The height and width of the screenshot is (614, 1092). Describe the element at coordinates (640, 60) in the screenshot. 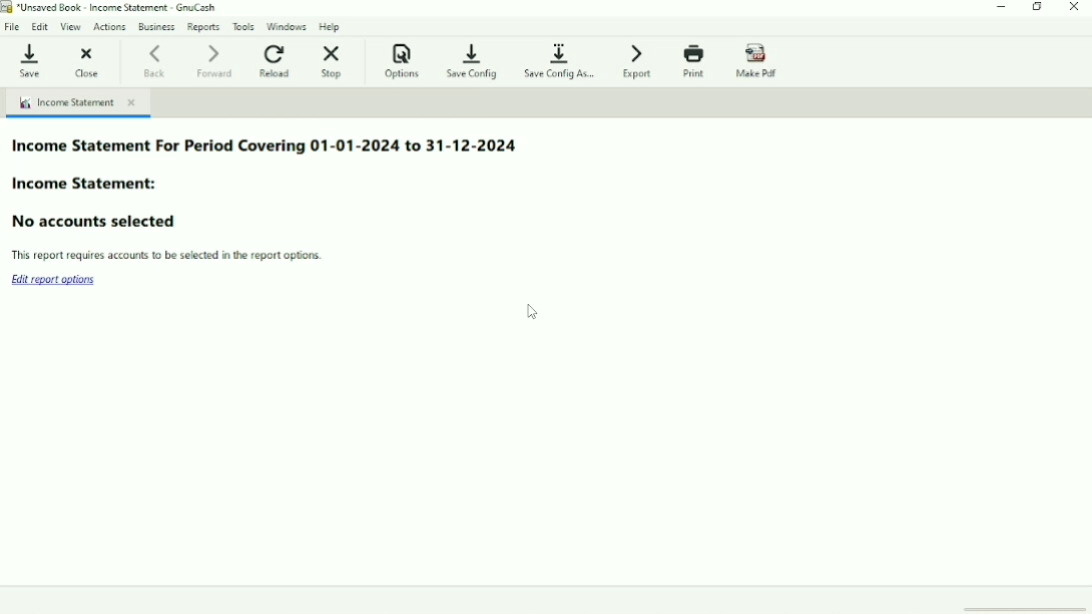

I see `Export` at that location.